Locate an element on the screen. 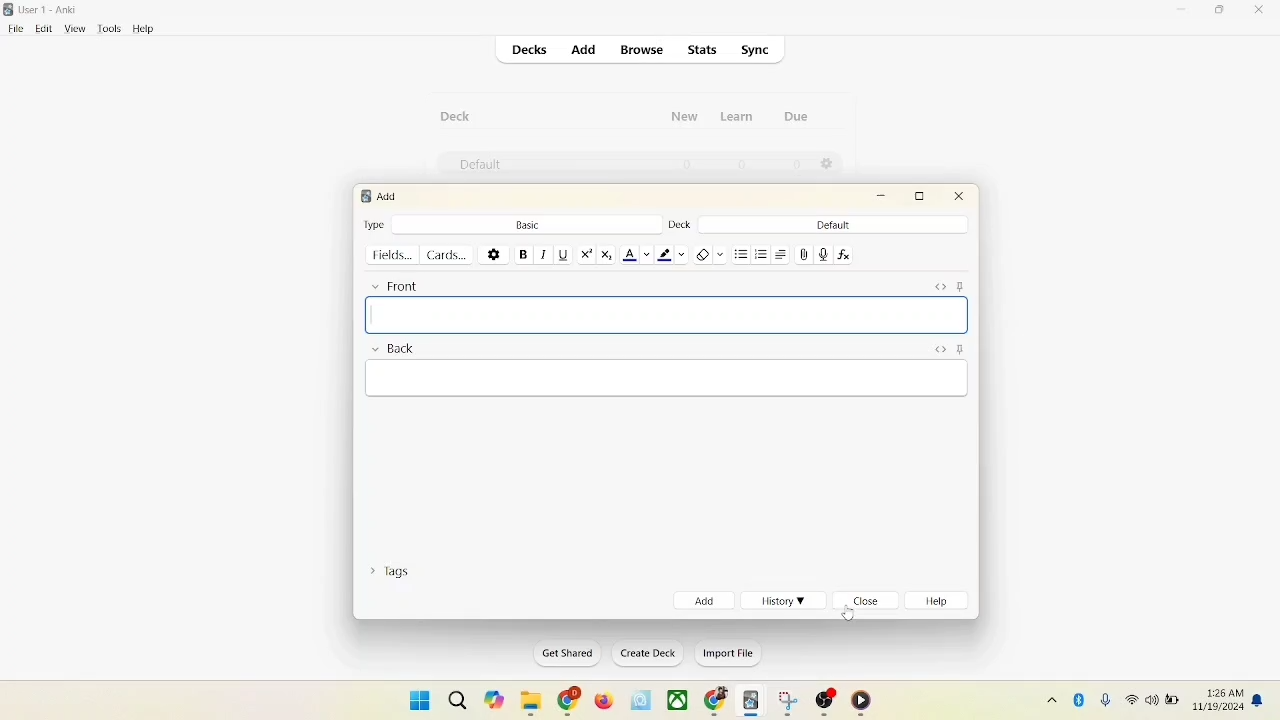  front is located at coordinates (392, 285).